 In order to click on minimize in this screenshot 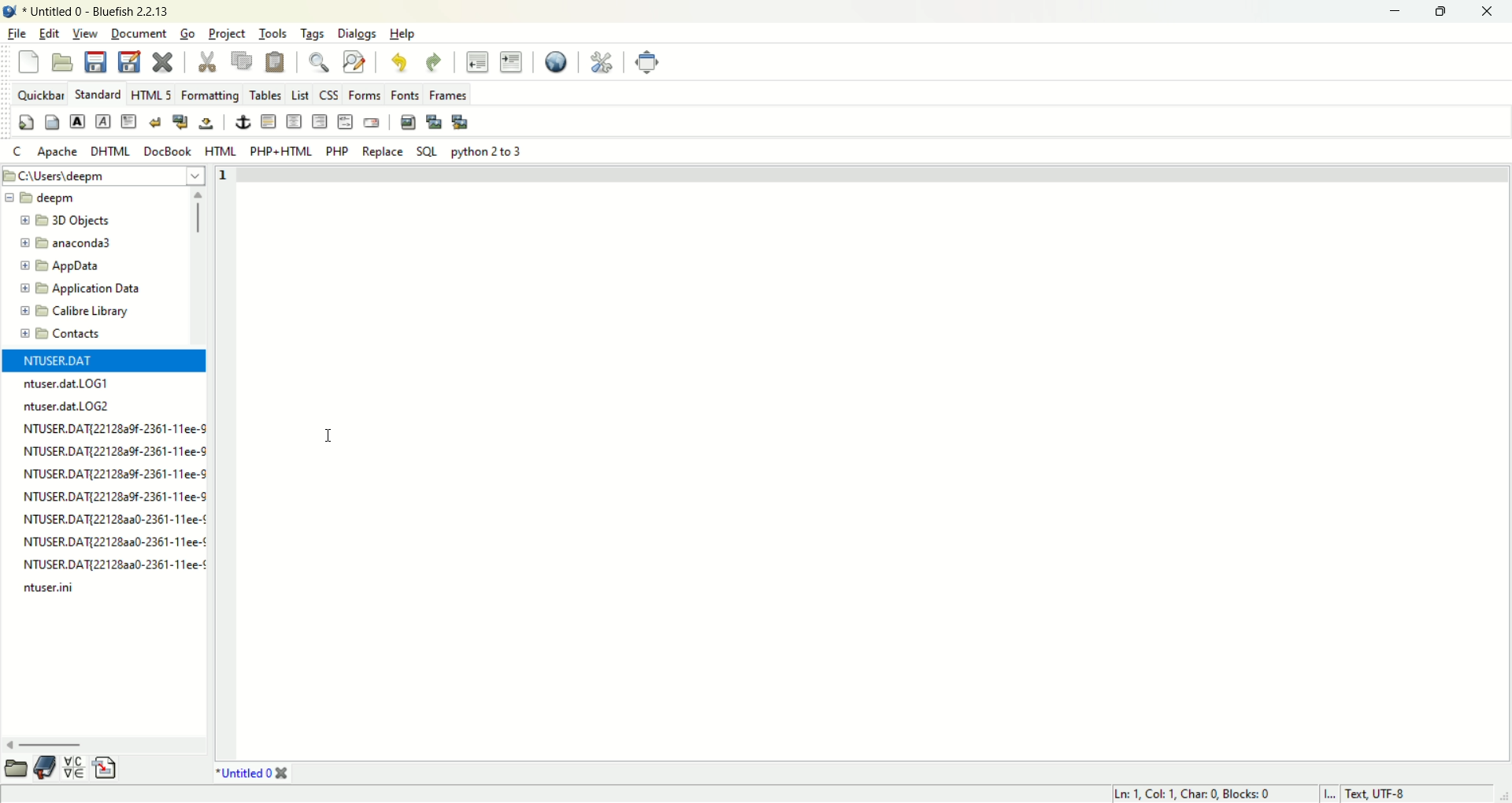, I will do `click(1399, 9)`.